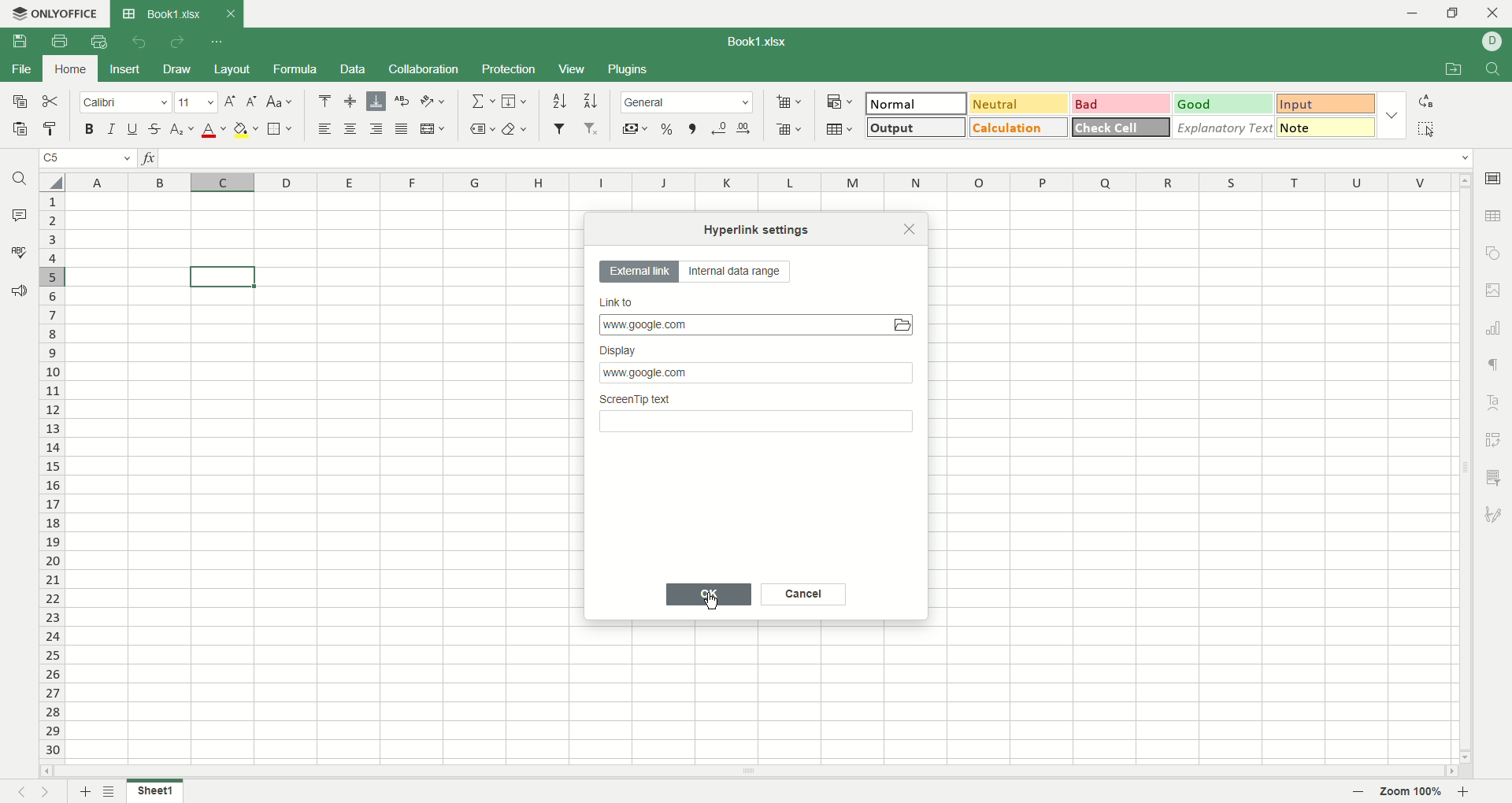 This screenshot has height=803, width=1512. Describe the element at coordinates (51, 129) in the screenshot. I see `copy style` at that location.